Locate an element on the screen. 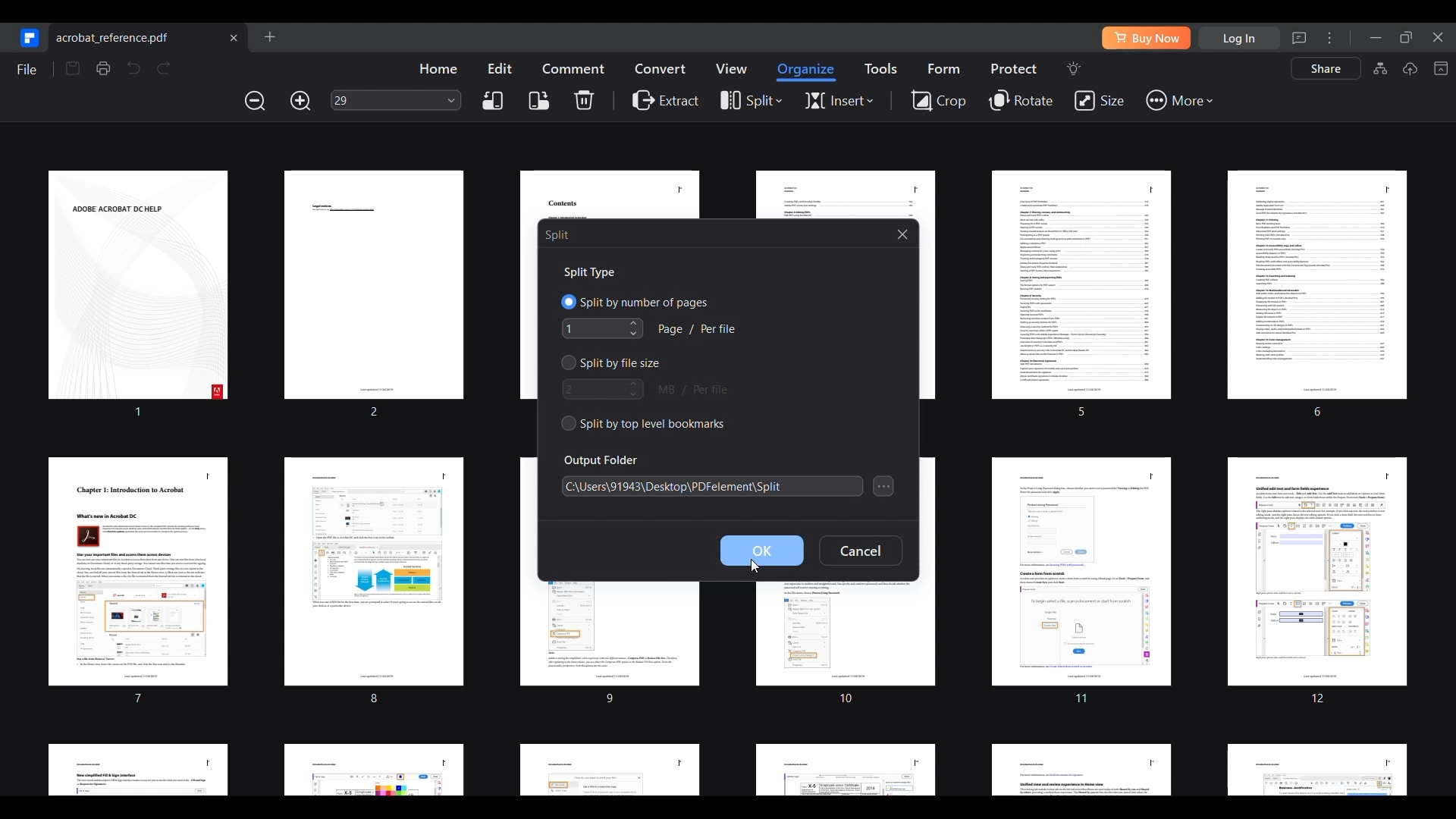  Delete is located at coordinates (584, 99).